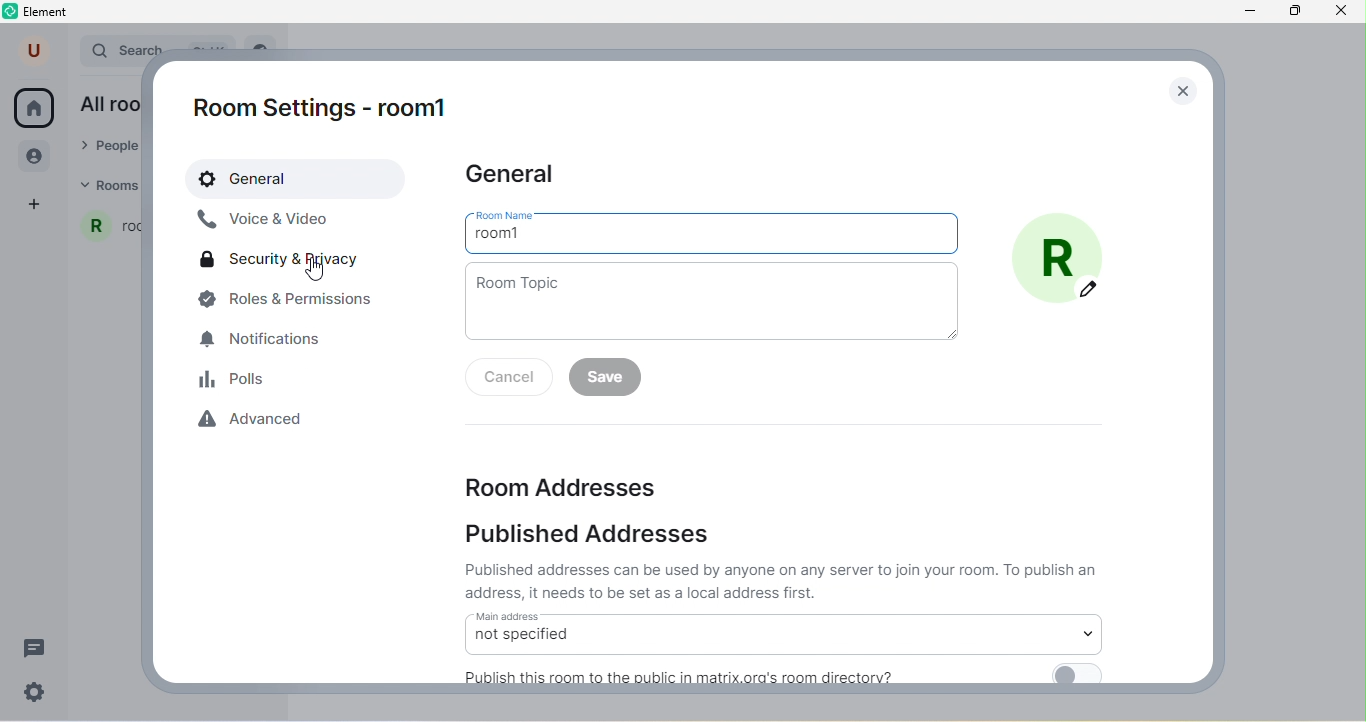  What do you see at coordinates (591, 534) in the screenshot?
I see `published addresses` at bounding box center [591, 534].